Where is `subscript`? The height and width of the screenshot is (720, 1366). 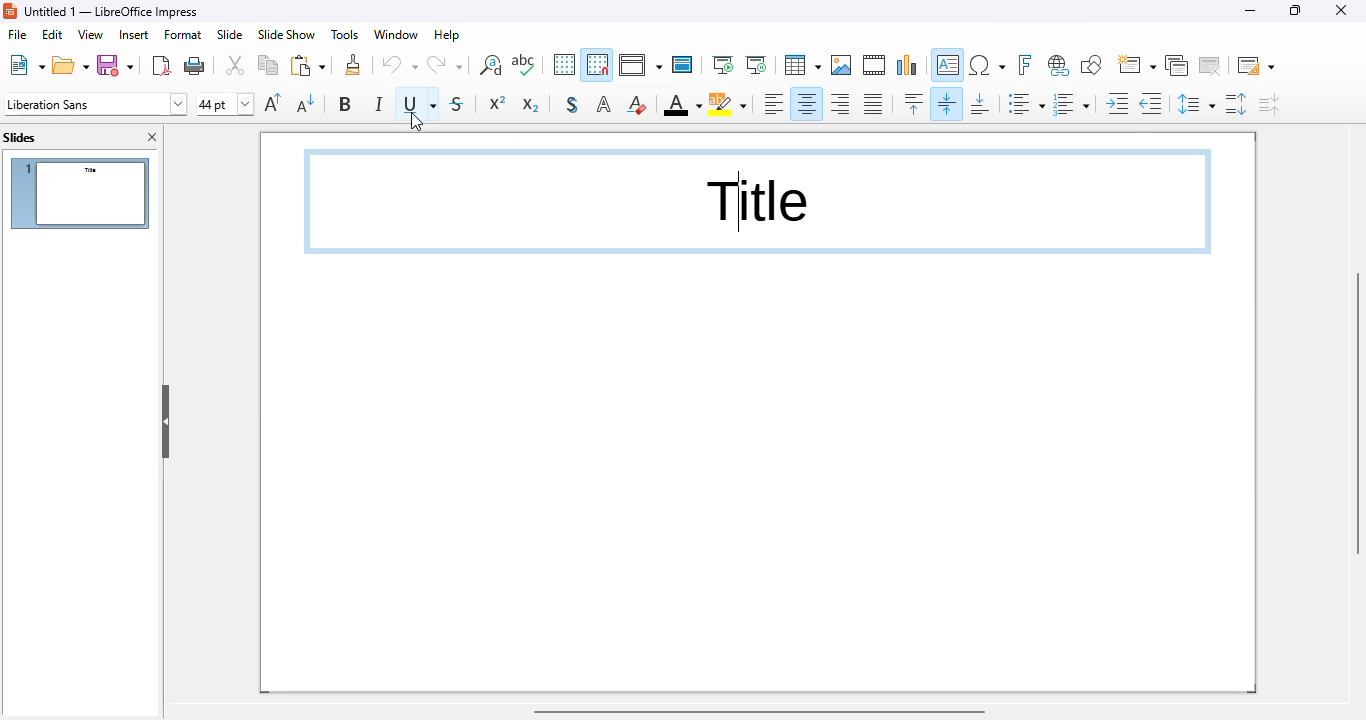 subscript is located at coordinates (529, 105).